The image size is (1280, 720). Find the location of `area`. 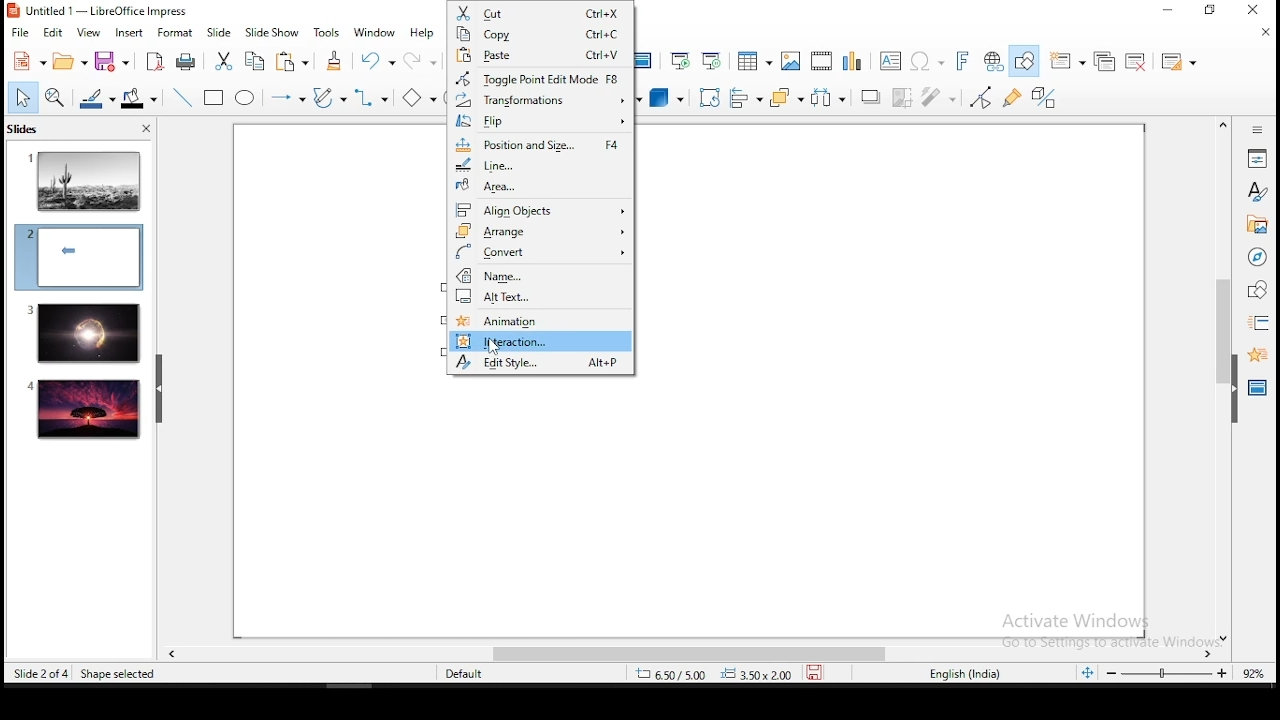

area is located at coordinates (541, 185).